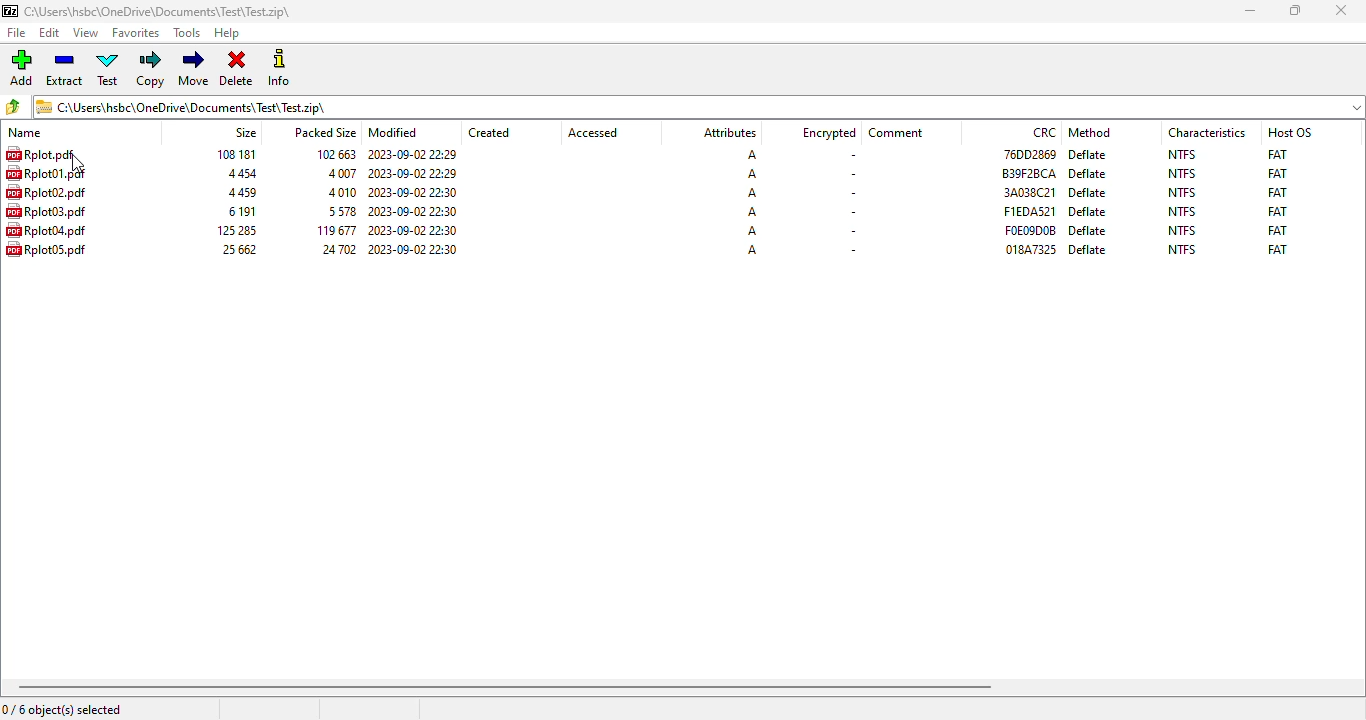 This screenshot has width=1366, height=720. I want to click on delete, so click(236, 69).